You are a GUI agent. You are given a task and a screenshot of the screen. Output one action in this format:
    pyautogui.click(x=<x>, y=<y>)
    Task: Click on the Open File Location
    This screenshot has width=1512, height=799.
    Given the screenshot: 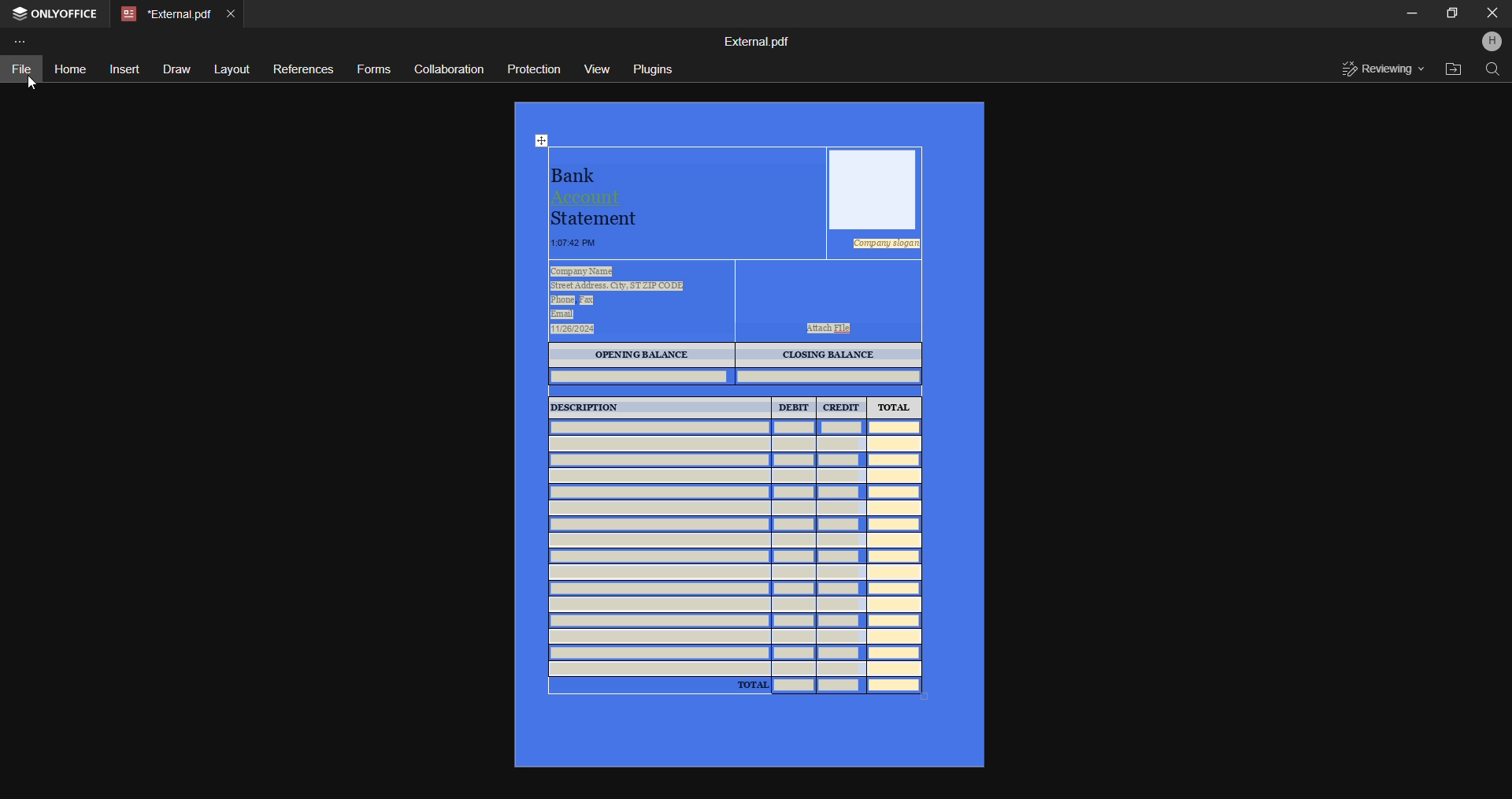 What is the action you would take?
    pyautogui.click(x=1452, y=70)
    